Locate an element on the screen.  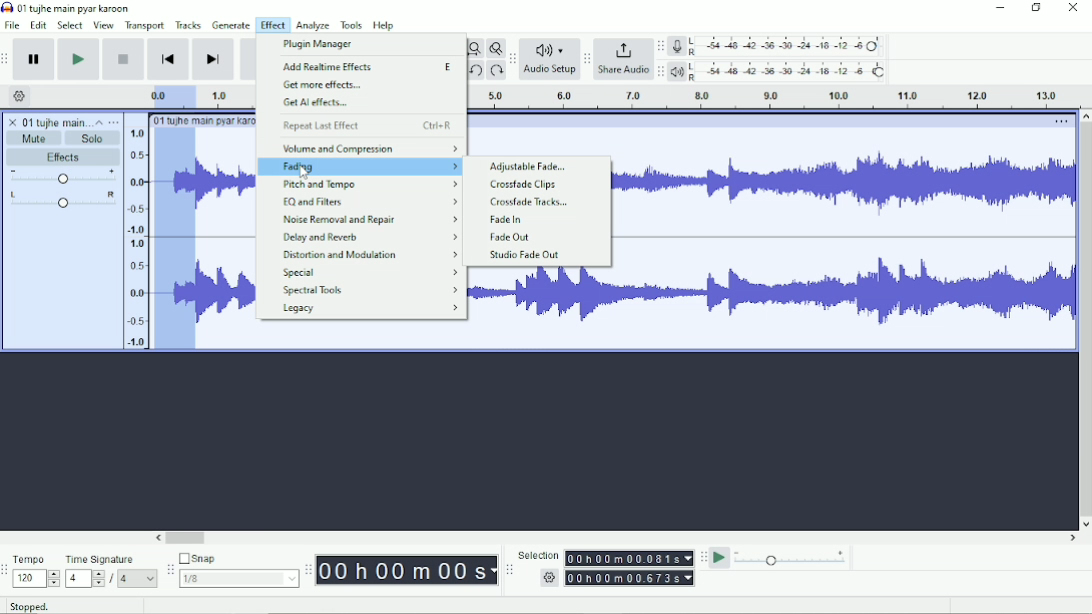
Help is located at coordinates (385, 26).